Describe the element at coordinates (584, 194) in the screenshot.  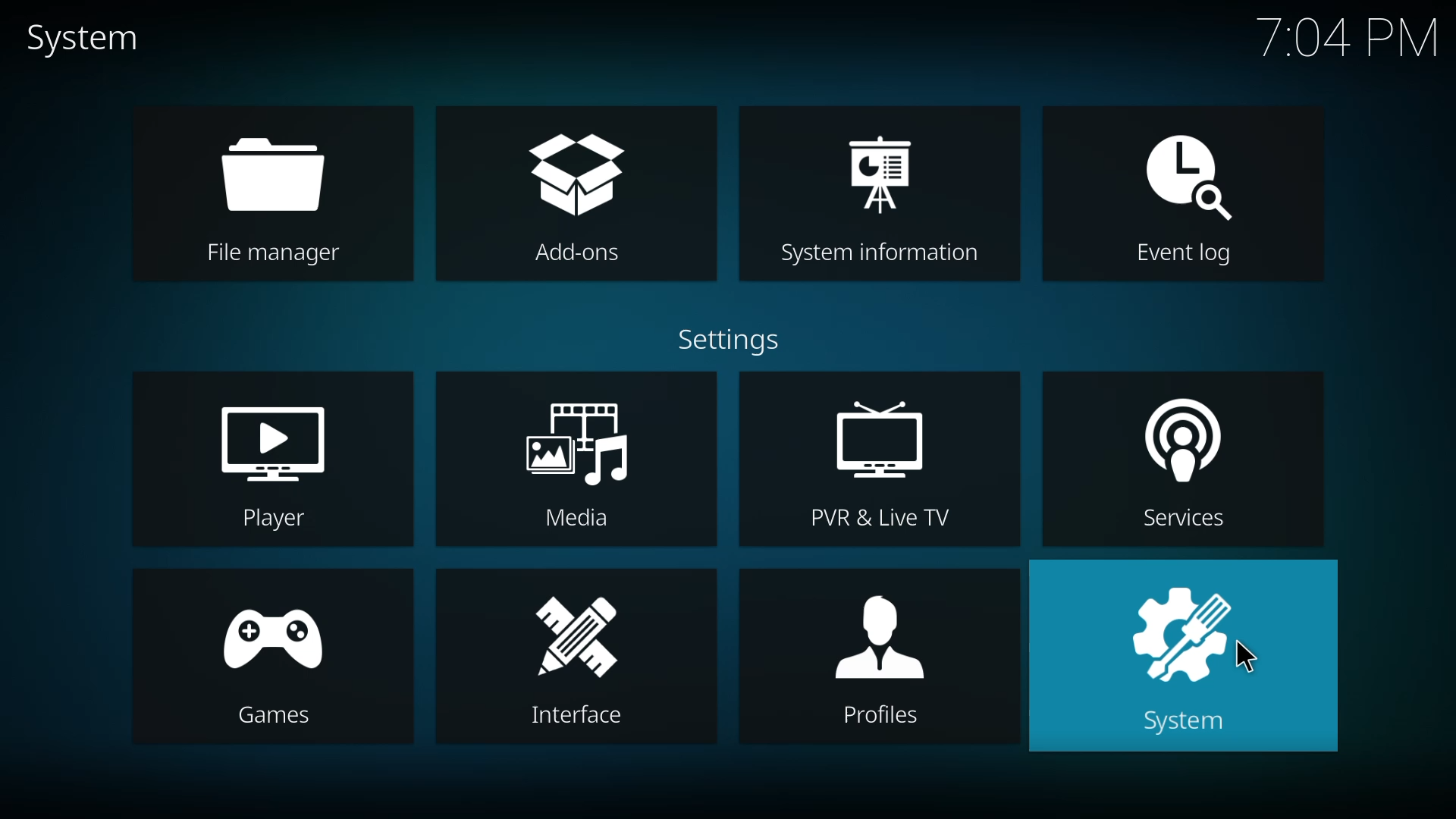
I see `add-ons` at that location.